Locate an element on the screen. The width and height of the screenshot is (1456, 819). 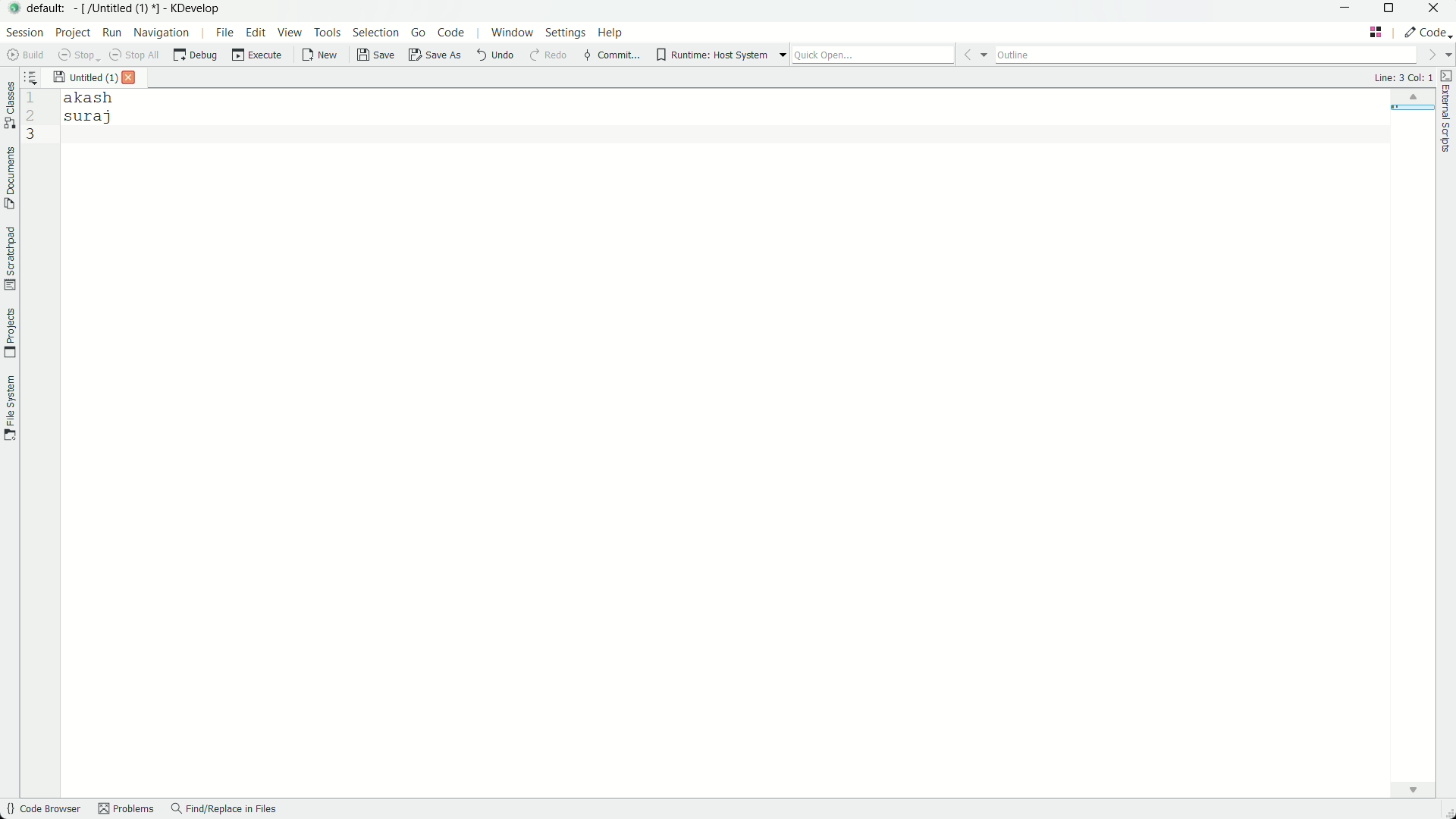
window menu is located at coordinates (511, 33).